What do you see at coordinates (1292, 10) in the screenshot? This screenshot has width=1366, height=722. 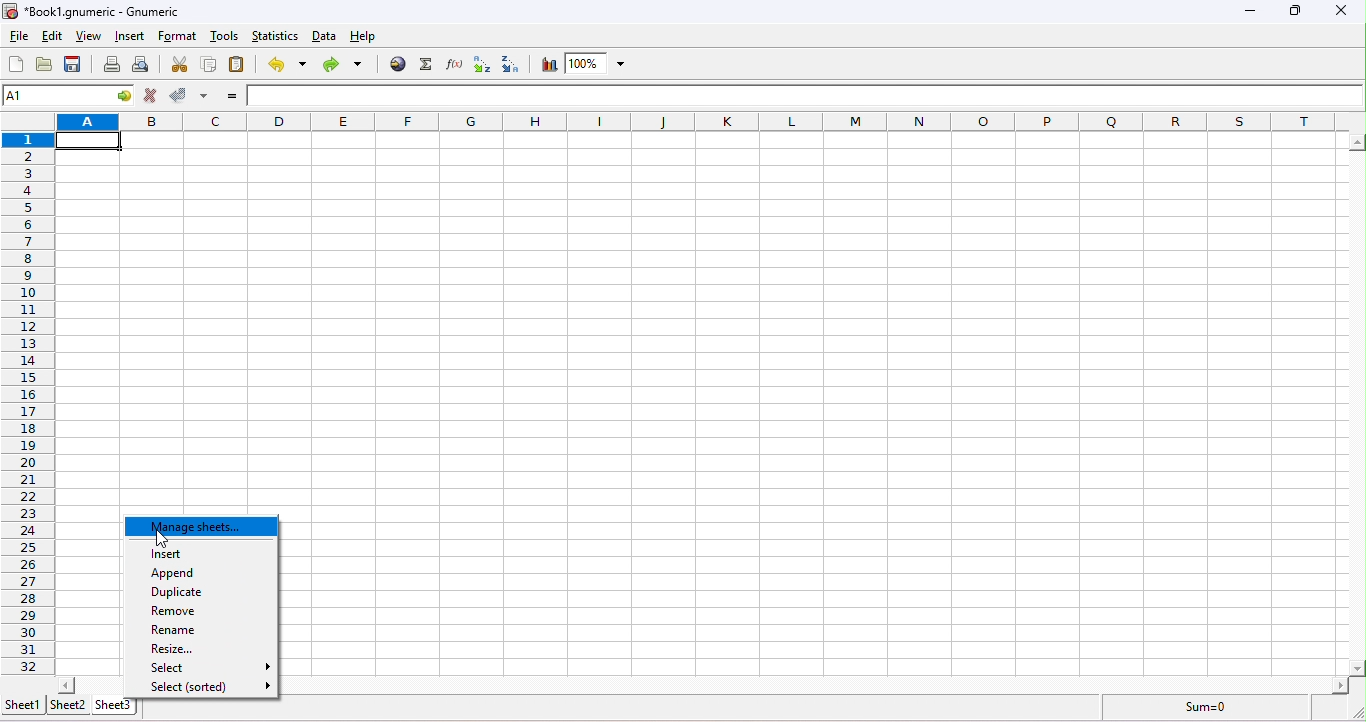 I see `maximize` at bounding box center [1292, 10].